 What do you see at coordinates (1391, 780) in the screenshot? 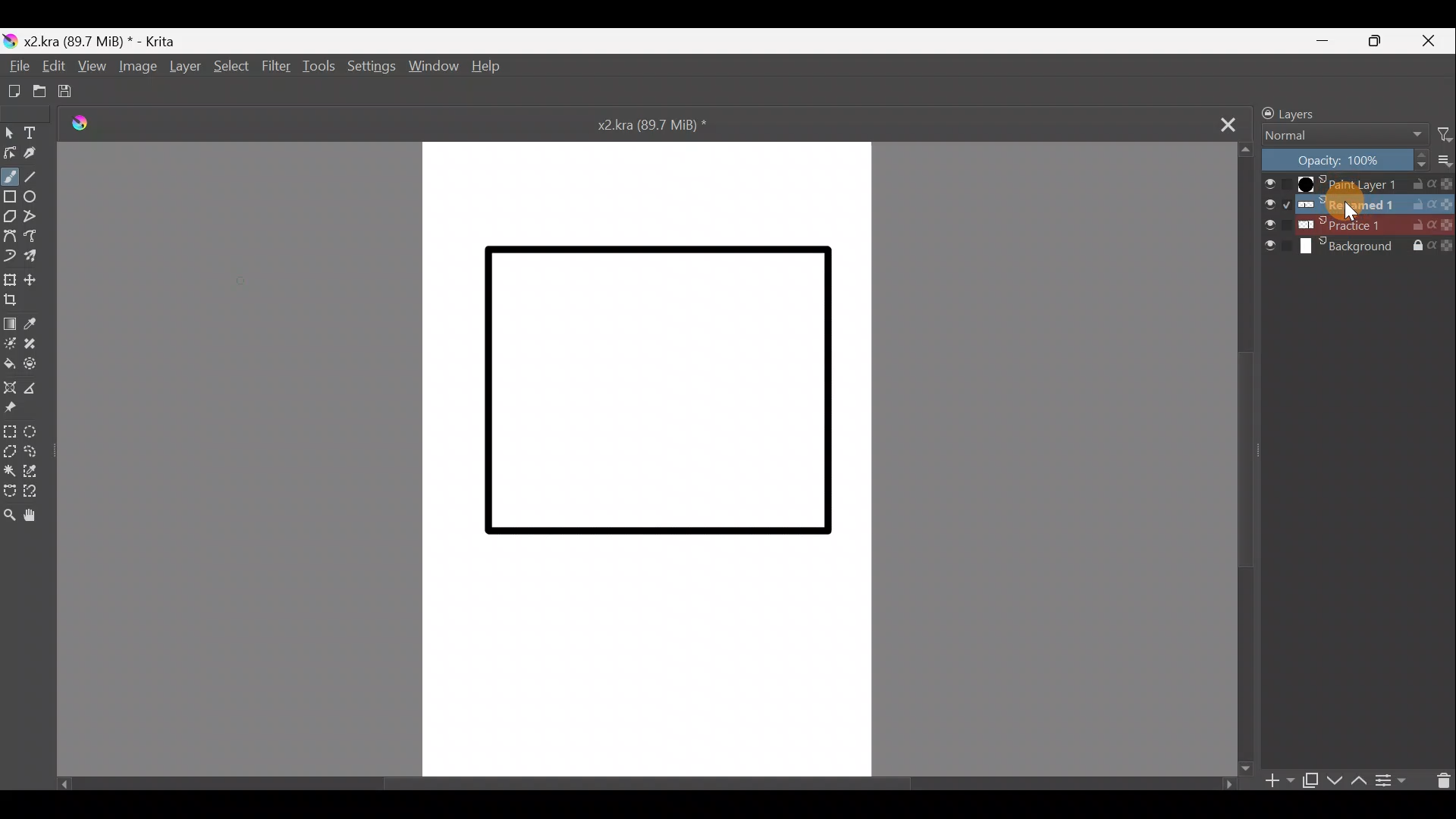
I see `View/change layer properties` at bounding box center [1391, 780].